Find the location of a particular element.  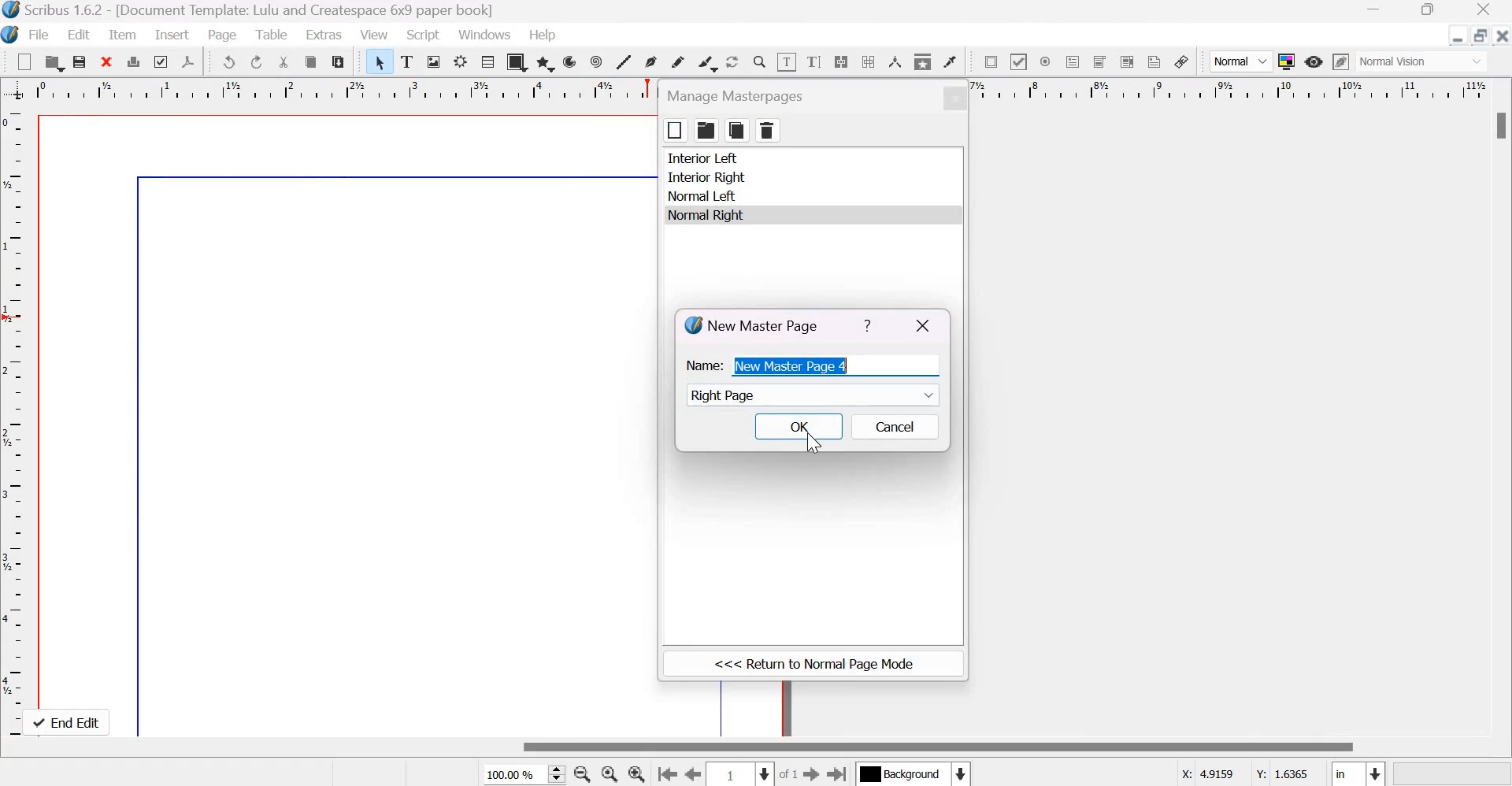

Zoom in is located at coordinates (636, 773).